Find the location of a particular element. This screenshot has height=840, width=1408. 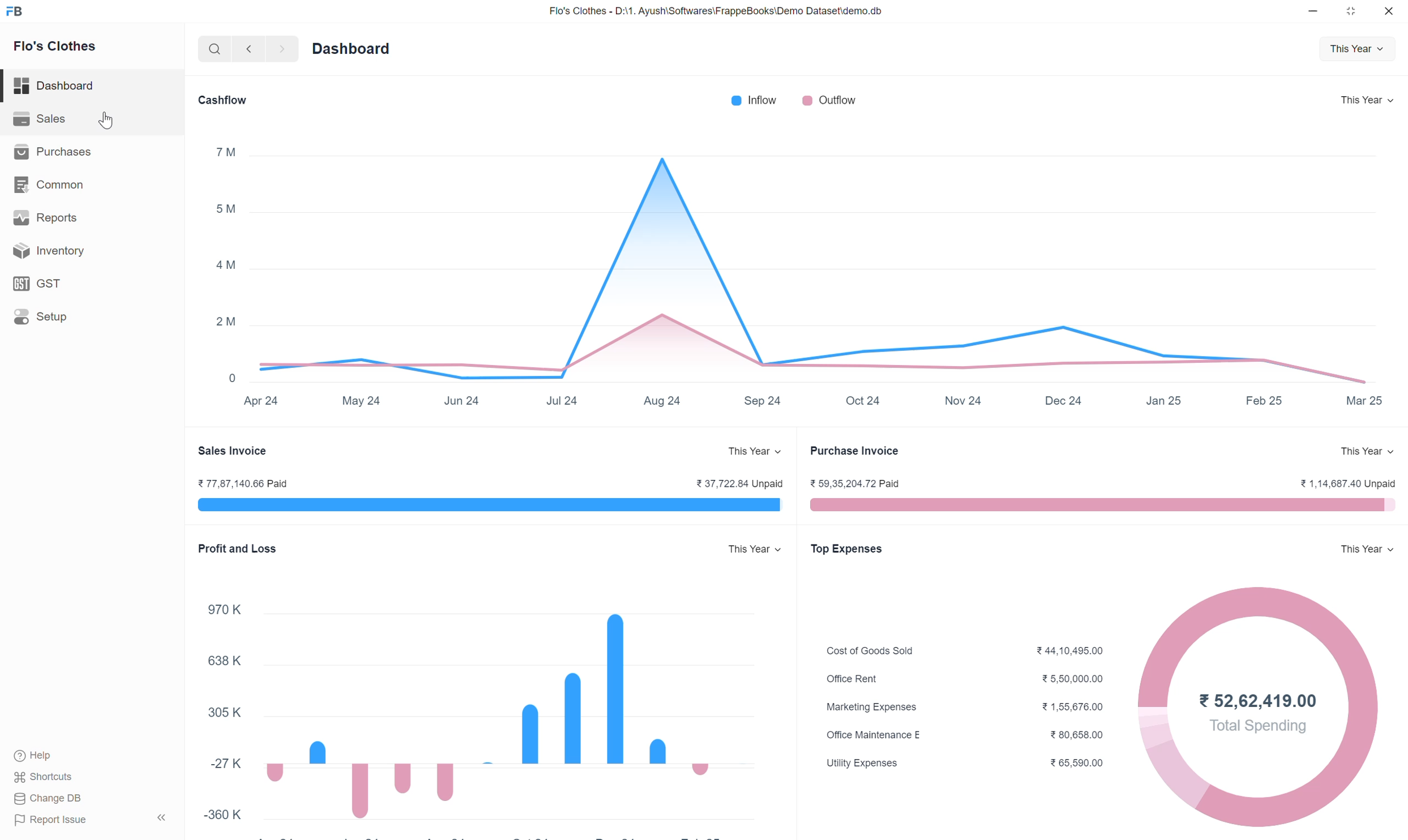

common is located at coordinates (75, 186).